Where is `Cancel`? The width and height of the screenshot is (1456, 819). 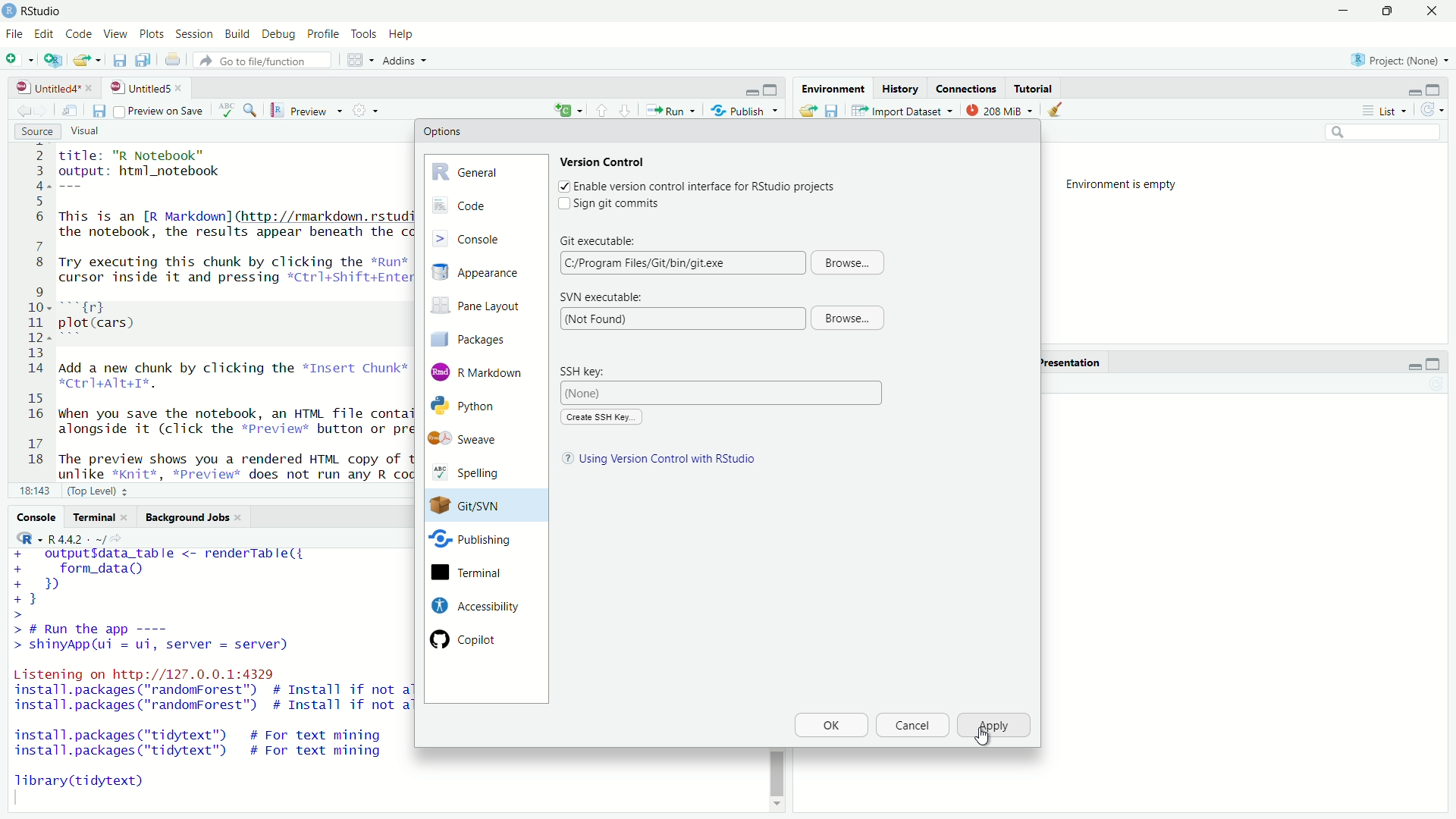 Cancel is located at coordinates (911, 726).